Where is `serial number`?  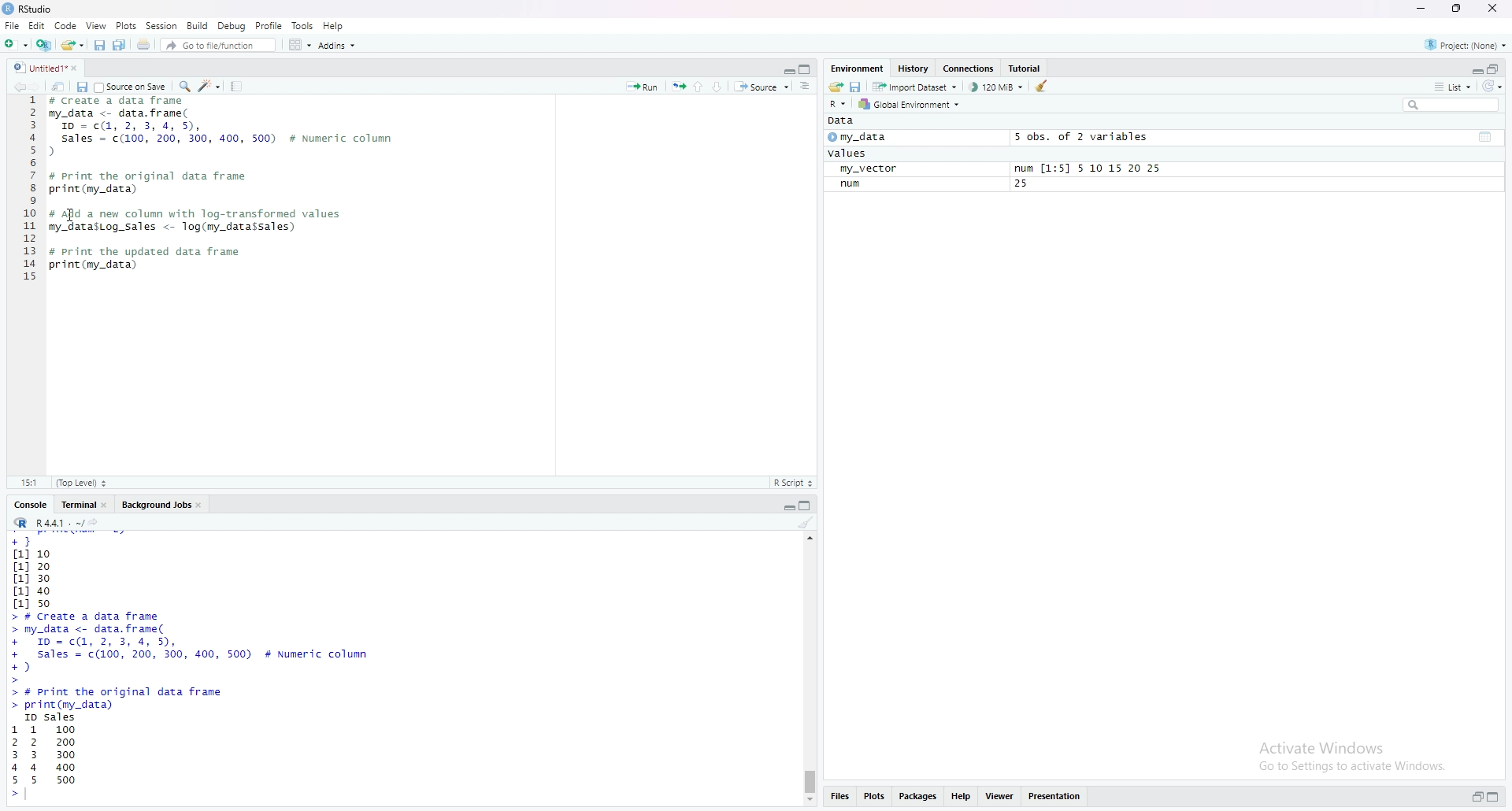
serial number is located at coordinates (26, 194).